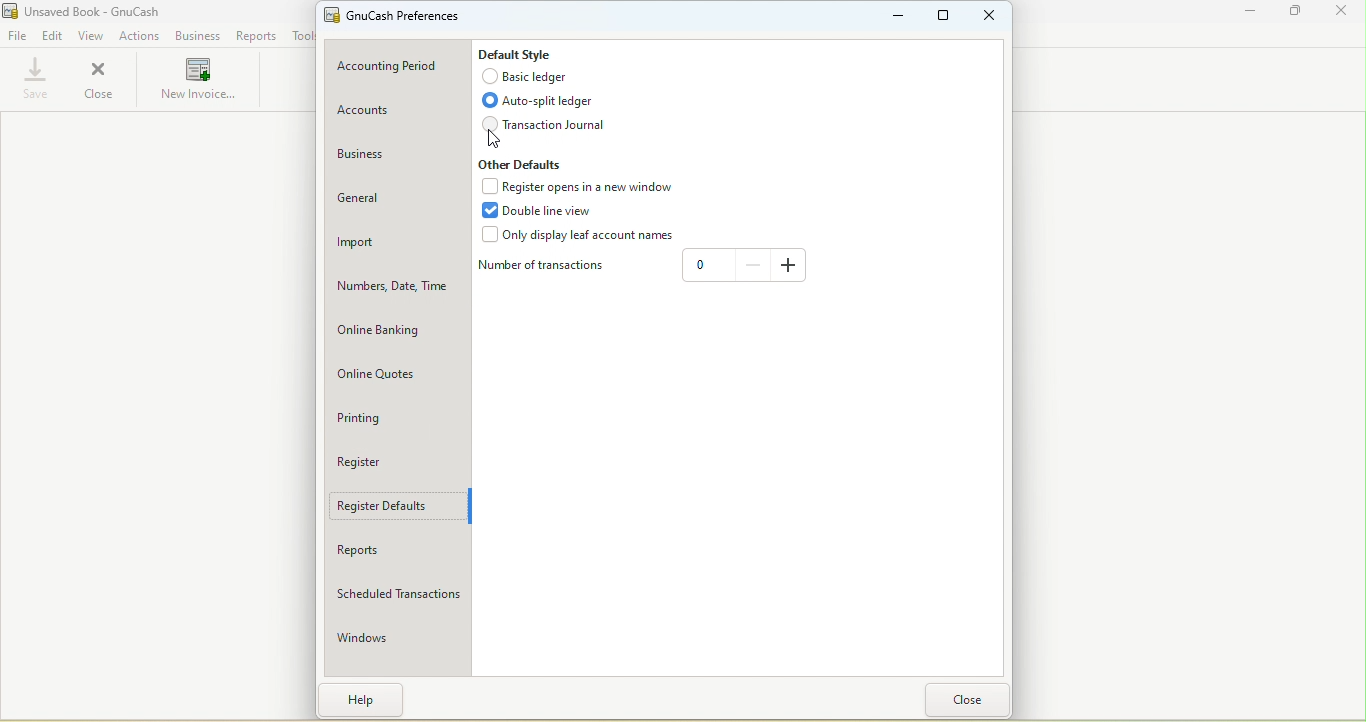  Describe the element at coordinates (397, 202) in the screenshot. I see `General` at that location.